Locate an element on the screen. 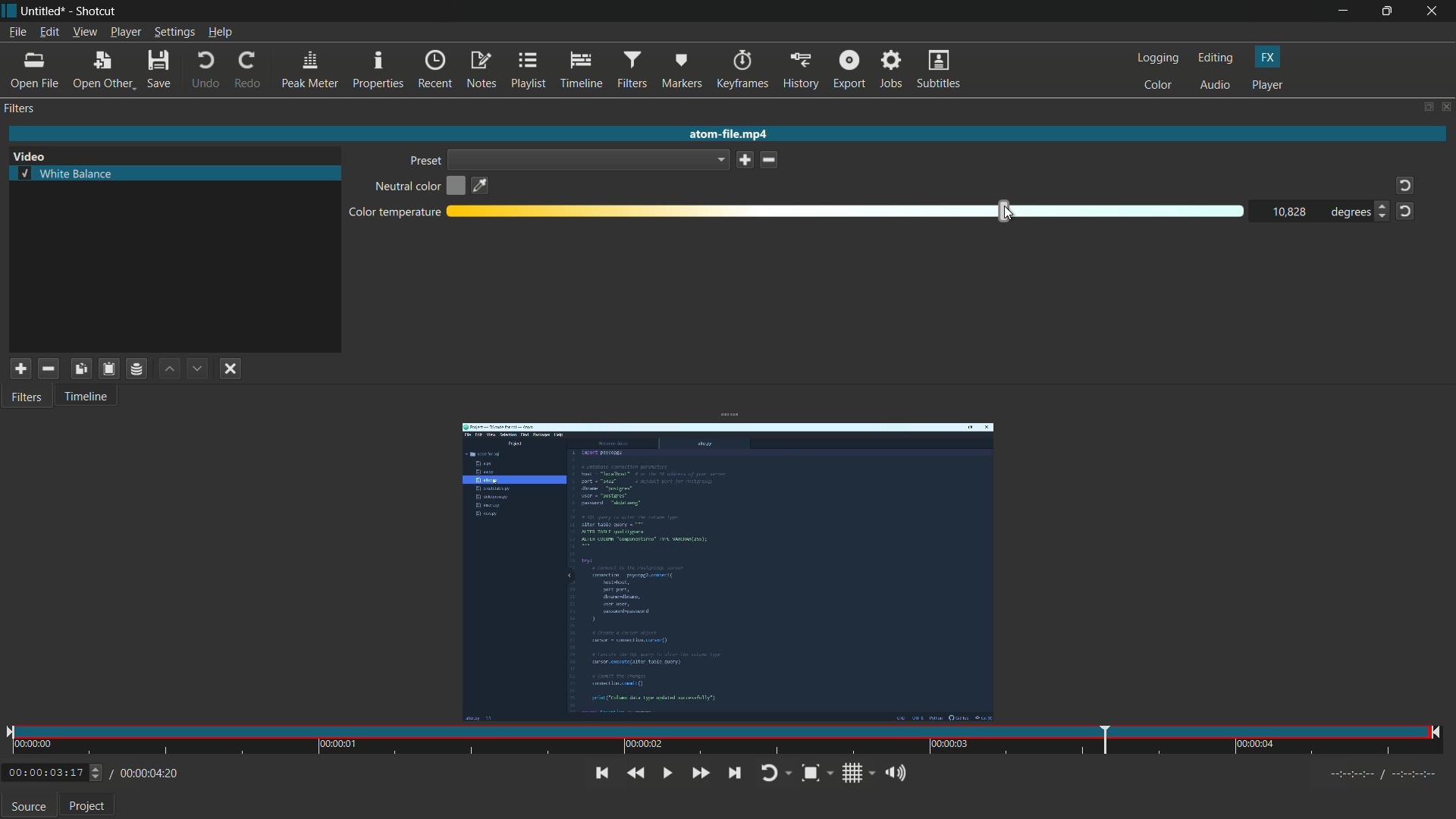  player menu is located at coordinates (126, 32).